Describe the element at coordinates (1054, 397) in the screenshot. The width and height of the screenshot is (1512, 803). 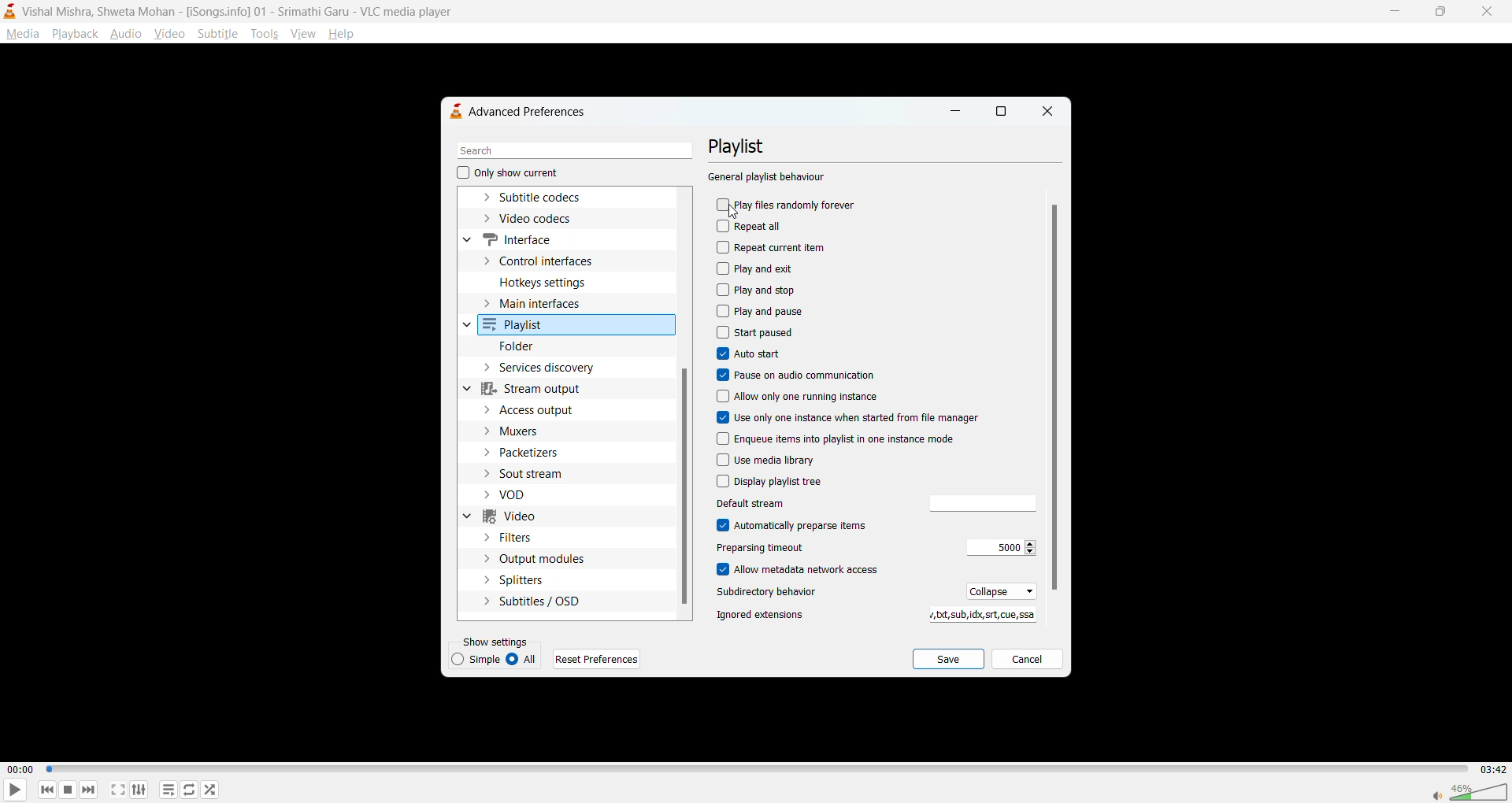
I see `vertical scroll bar` at that location.